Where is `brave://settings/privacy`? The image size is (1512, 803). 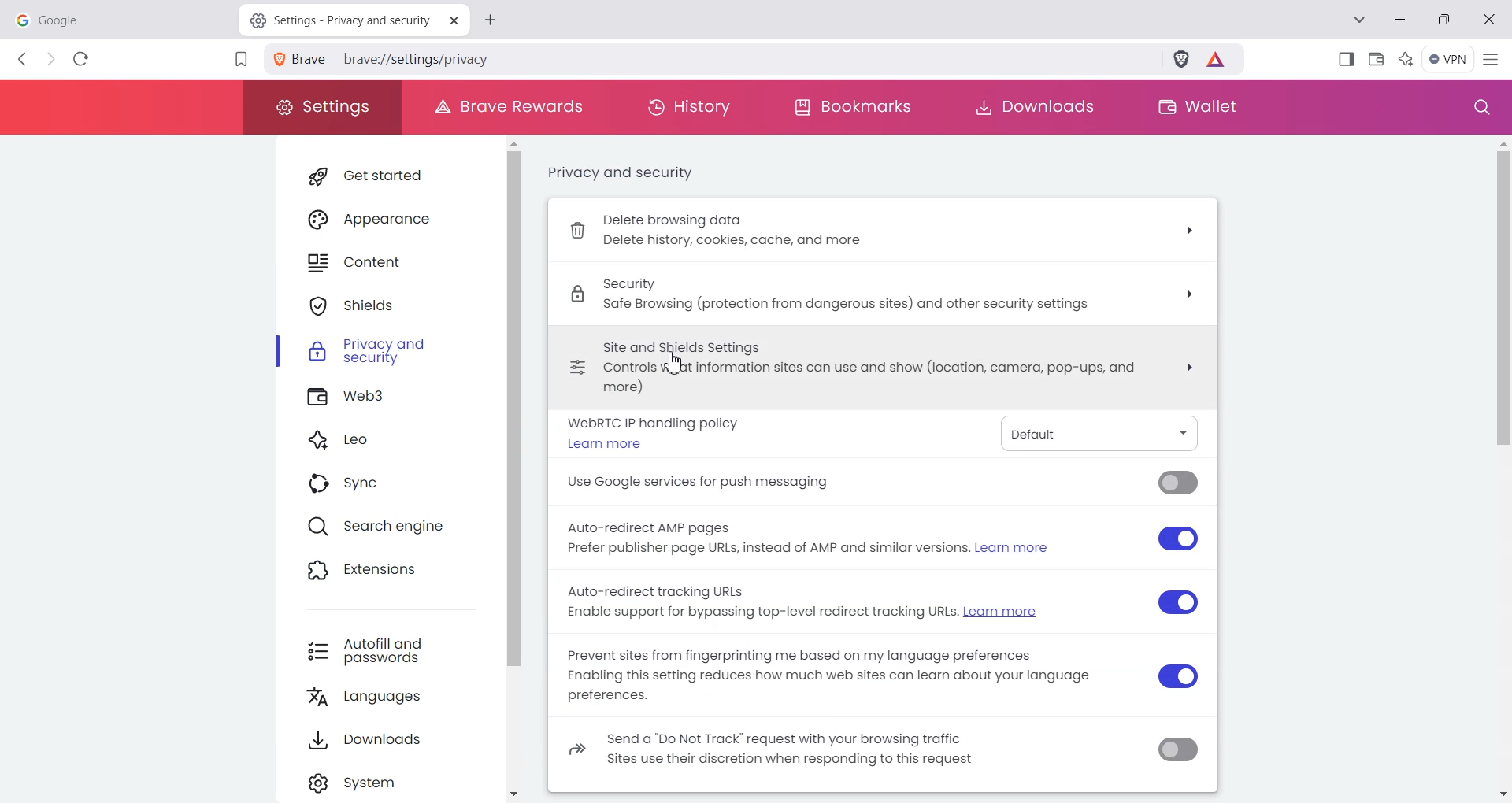 brave://settings/privacy is located at coordinates (421, 58).